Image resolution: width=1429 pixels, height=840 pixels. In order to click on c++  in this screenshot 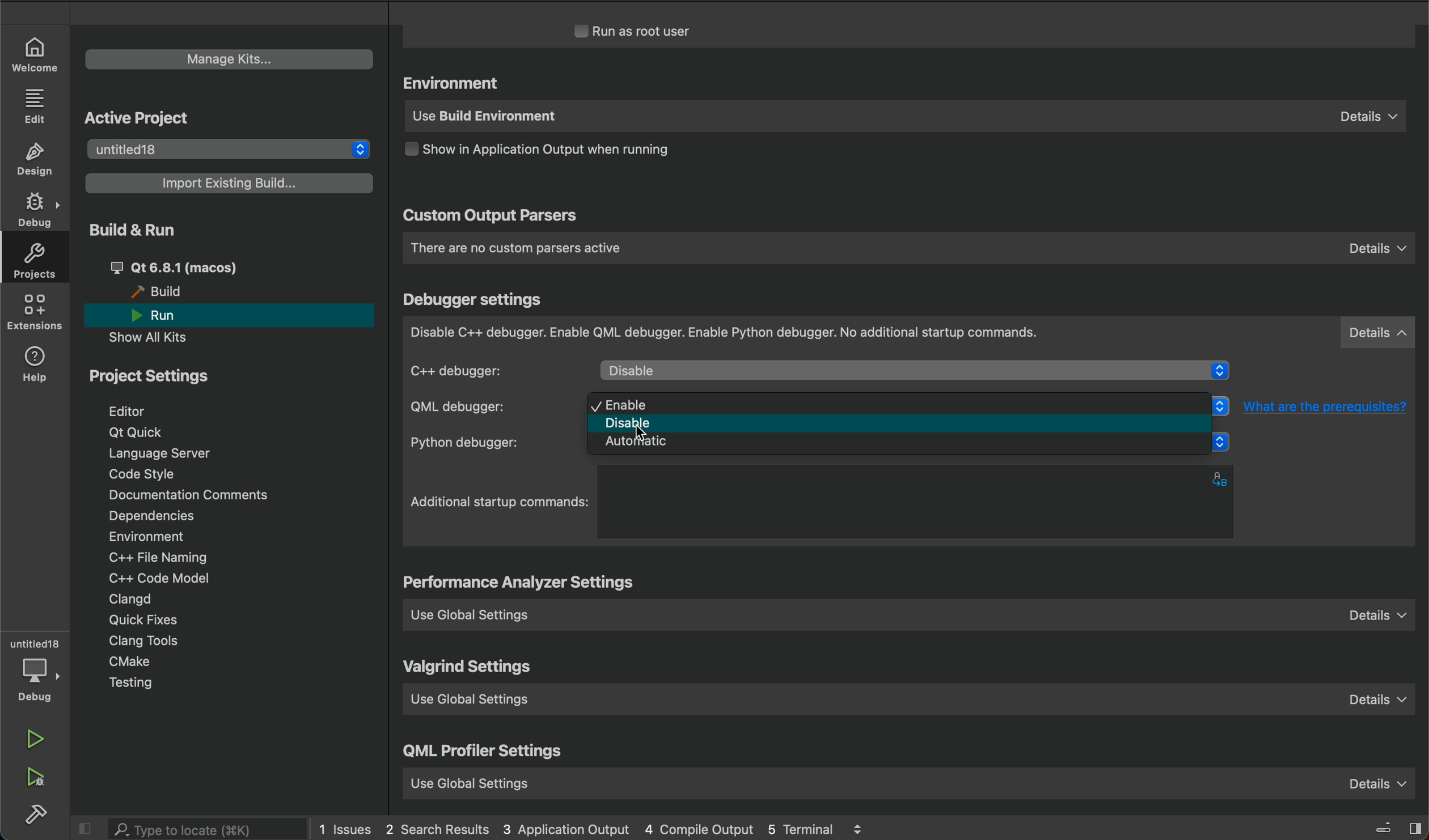, I will do `click(489, 370)`.